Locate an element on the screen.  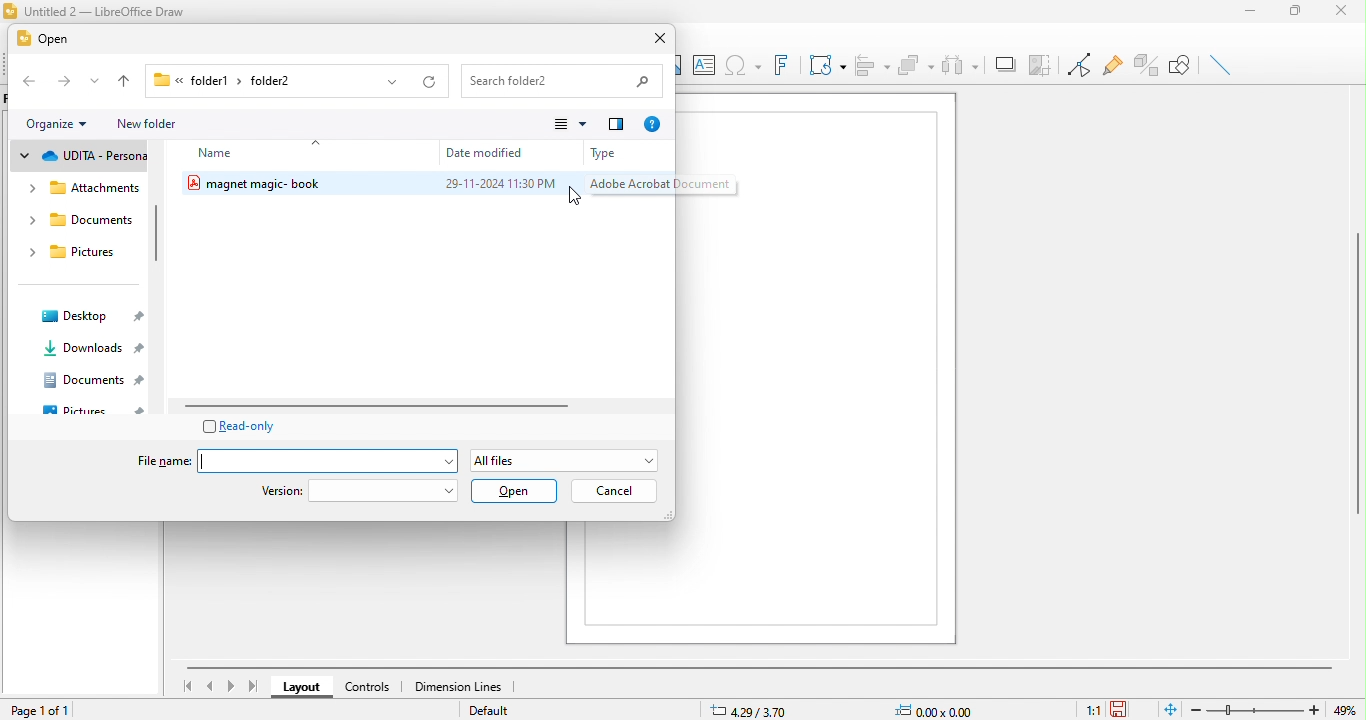
folder 2 is located at coordinates (289, 83).